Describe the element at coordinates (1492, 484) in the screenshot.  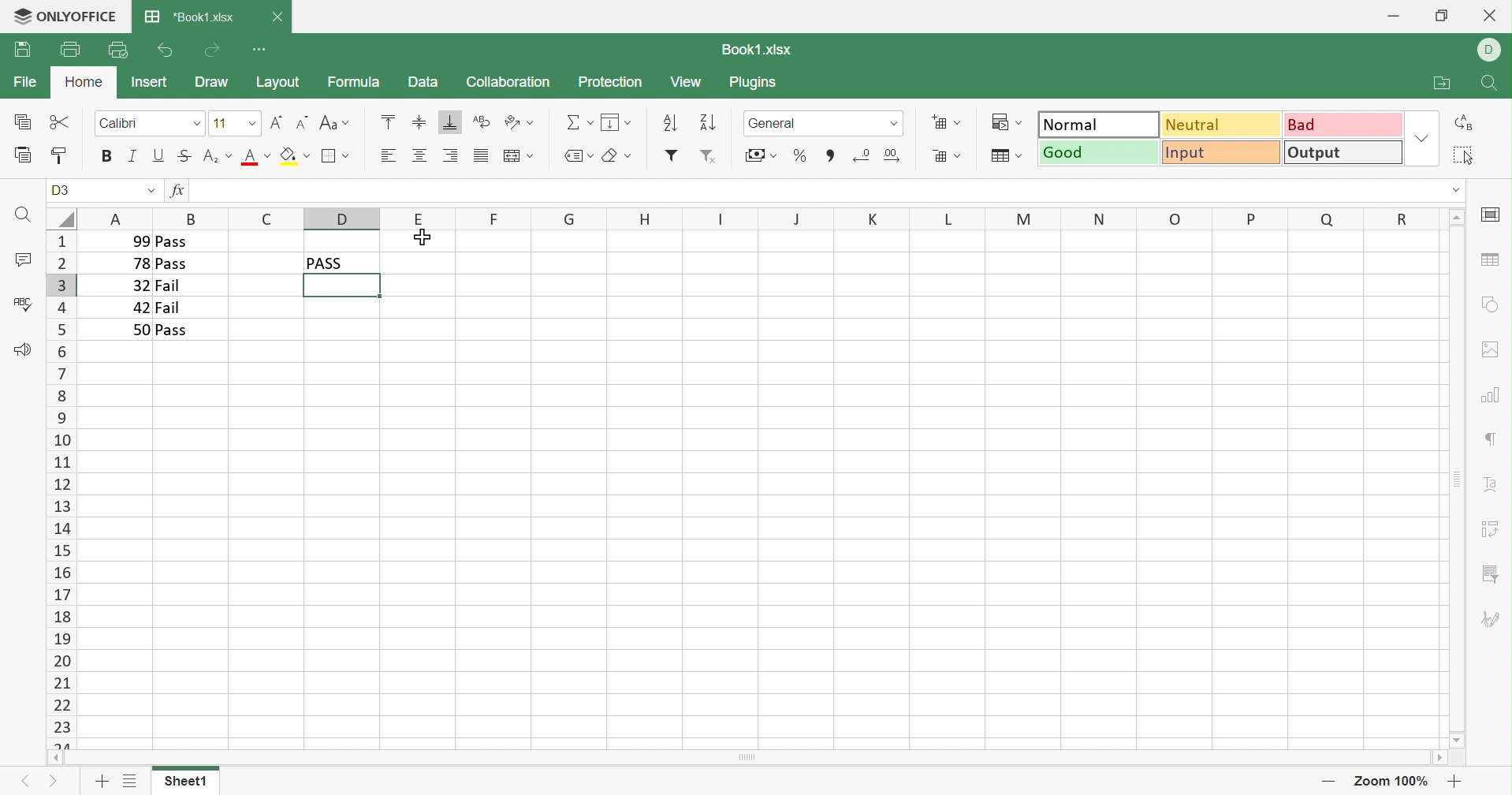
I see `Text art settings` at that location.